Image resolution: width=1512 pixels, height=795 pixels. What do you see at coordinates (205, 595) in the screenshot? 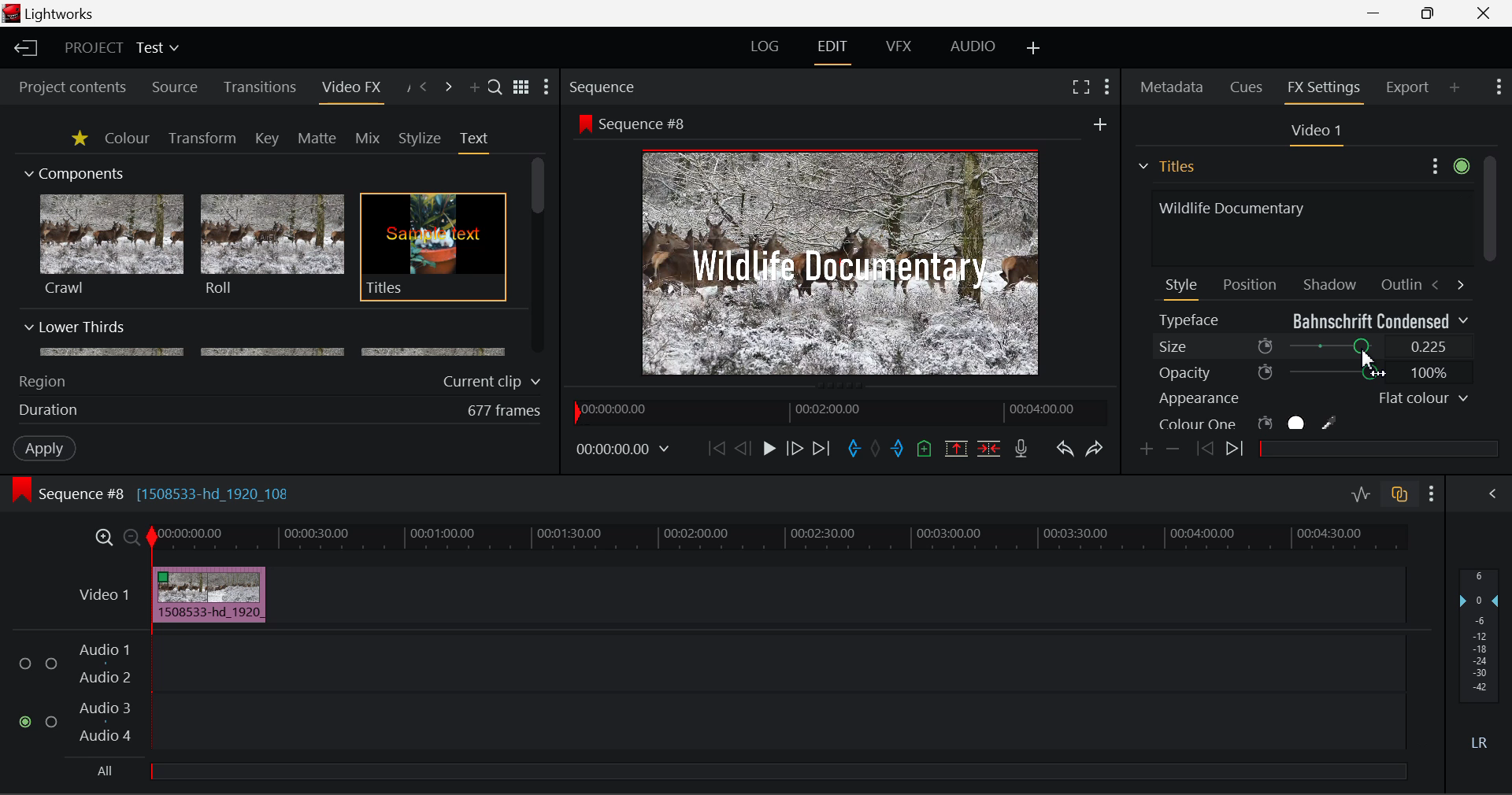
I see `Clip Inserted` at bounding box center [205, 595].